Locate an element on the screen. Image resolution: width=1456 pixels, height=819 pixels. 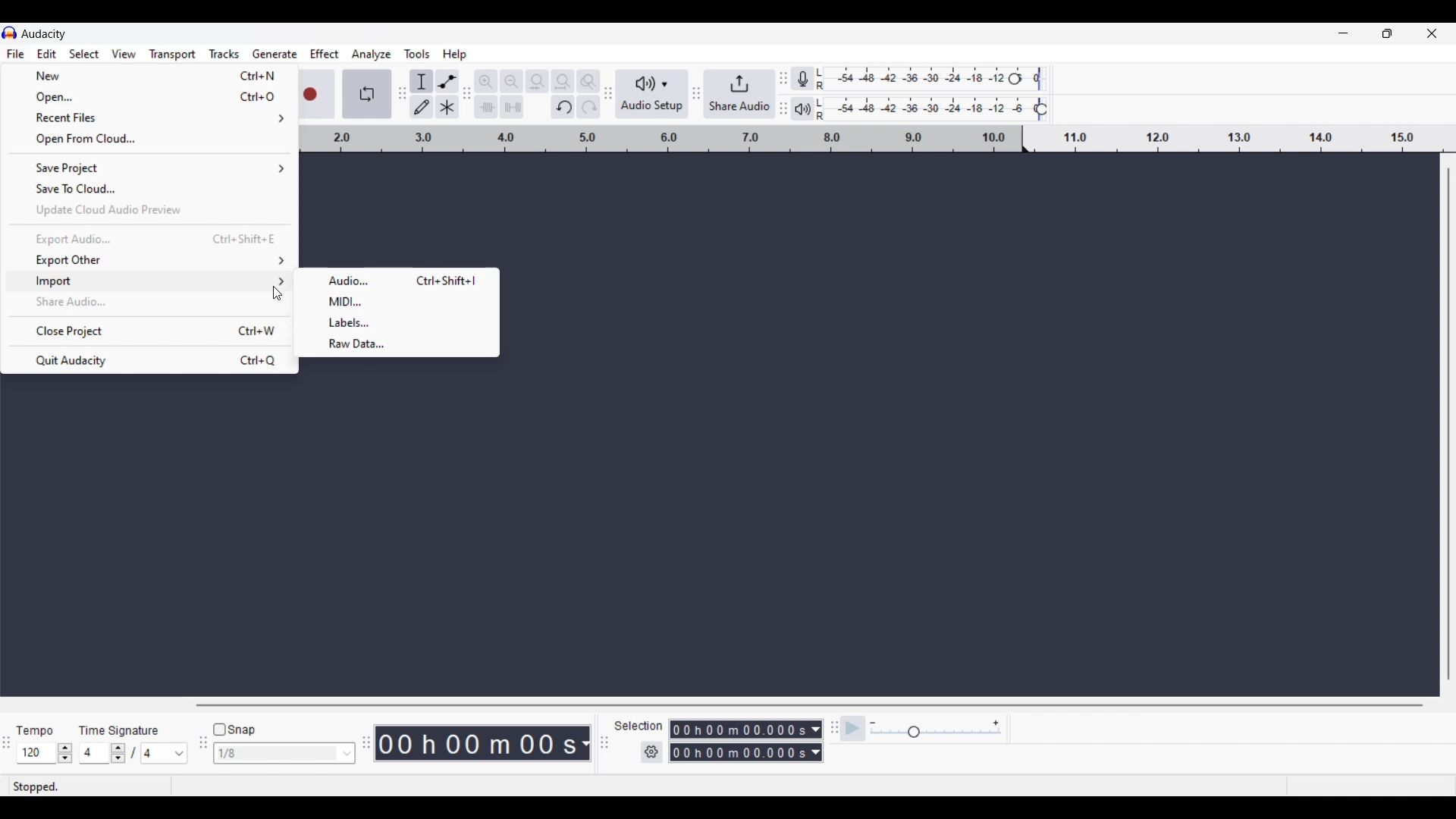
Help menu is located at coordinates (455, 55).